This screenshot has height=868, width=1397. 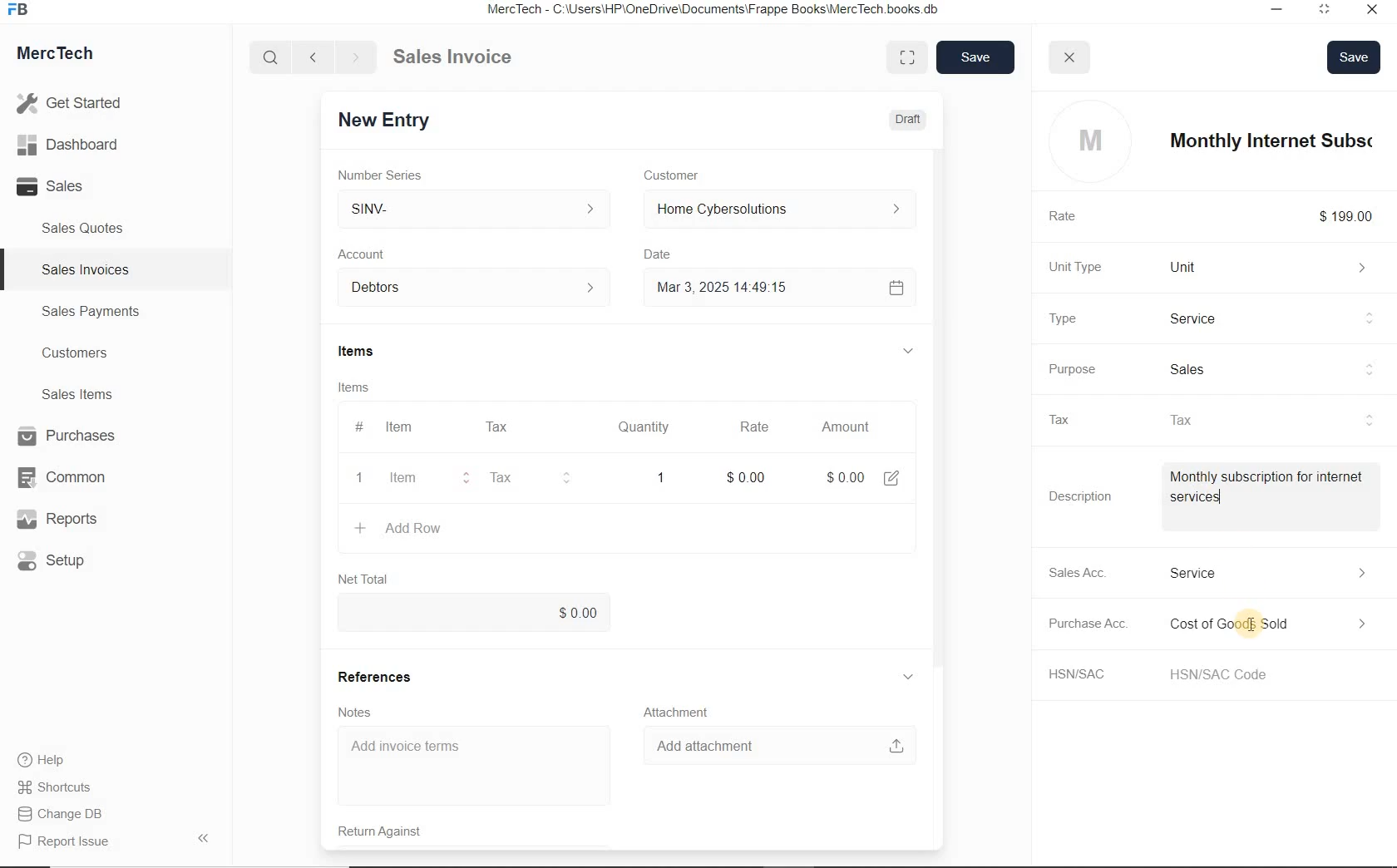 What do you see at coordinates (76, 145) in the screenshot?
I see `Dashboard` at bounding box center [76, 145].